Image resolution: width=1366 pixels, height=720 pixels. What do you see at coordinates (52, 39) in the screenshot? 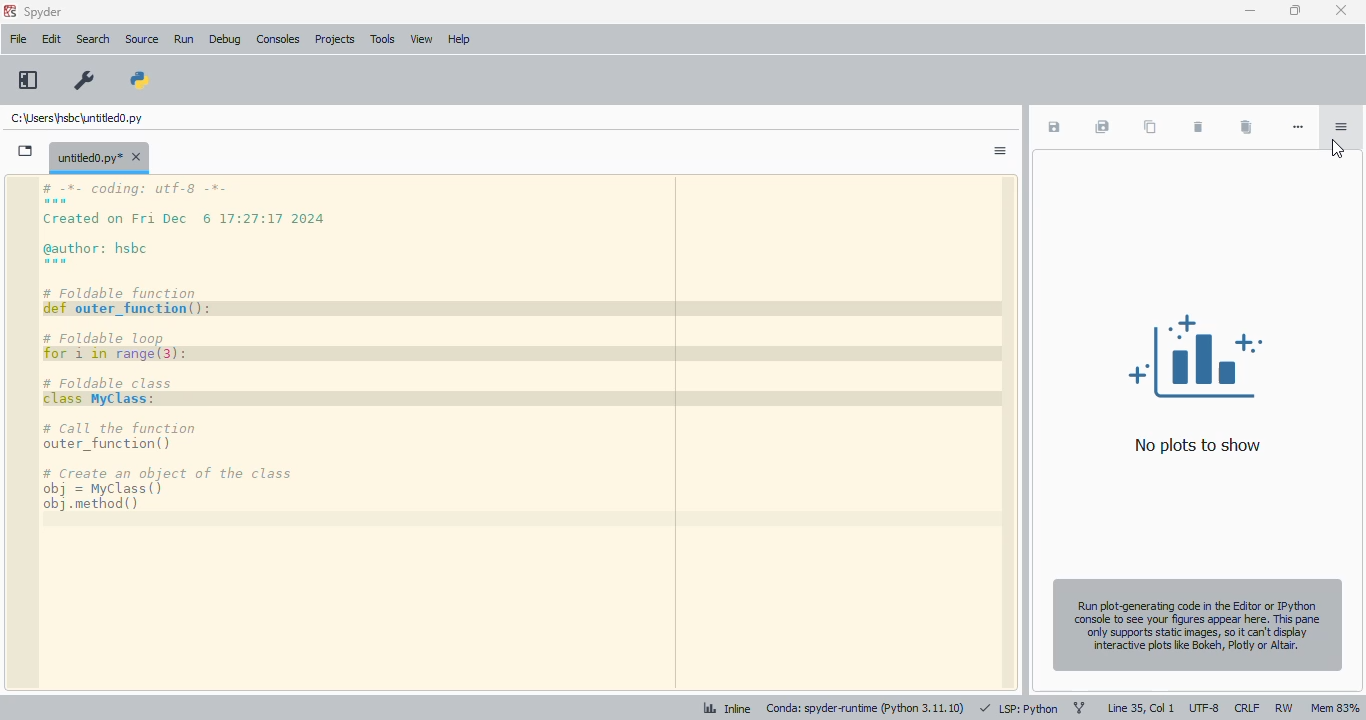
I see `edit` at bounding box center [52, 39].